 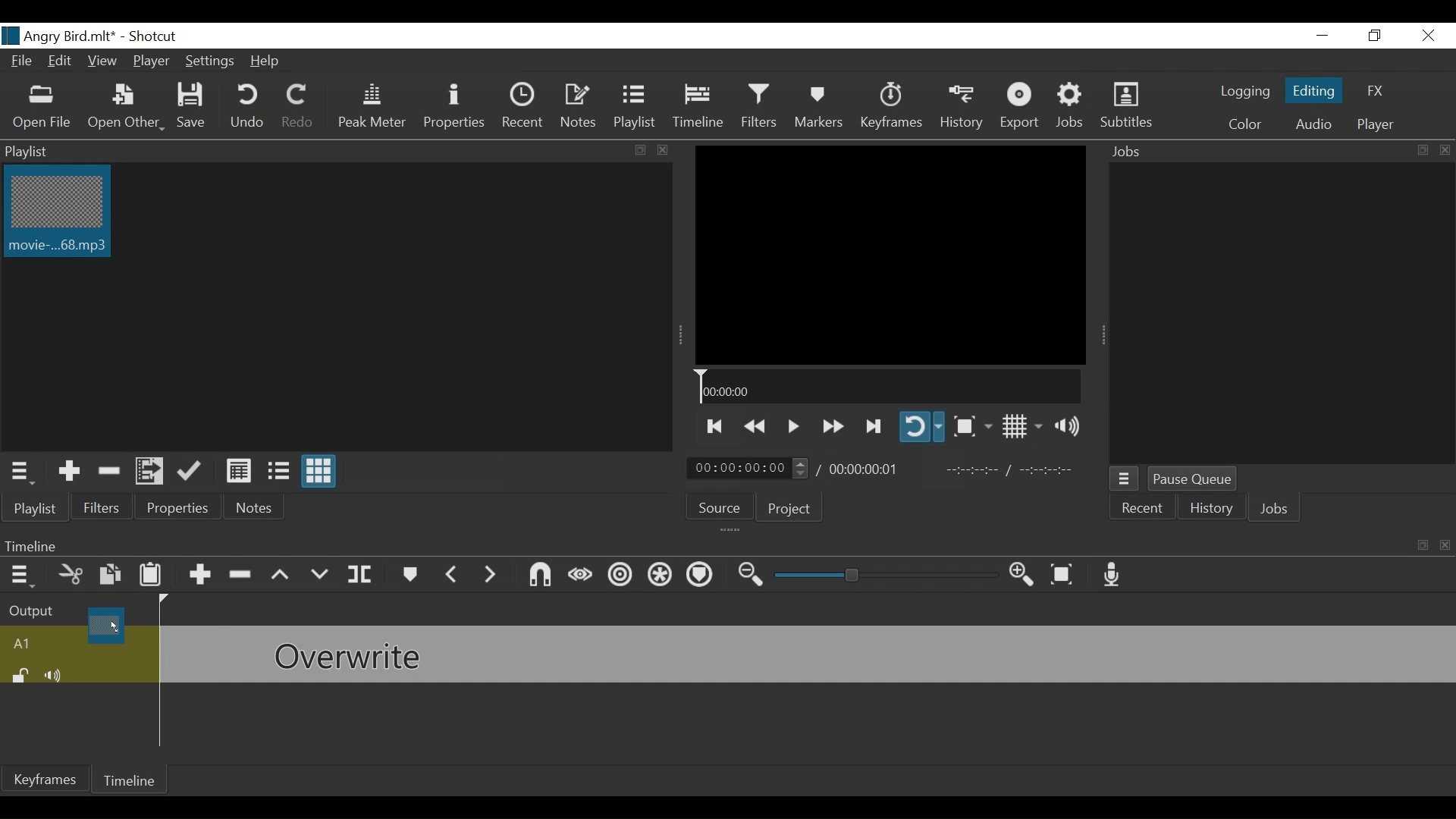 What do you see at coordinates (660, 149) in the screenshot?
I see `close` at bounding box center [660, 149].